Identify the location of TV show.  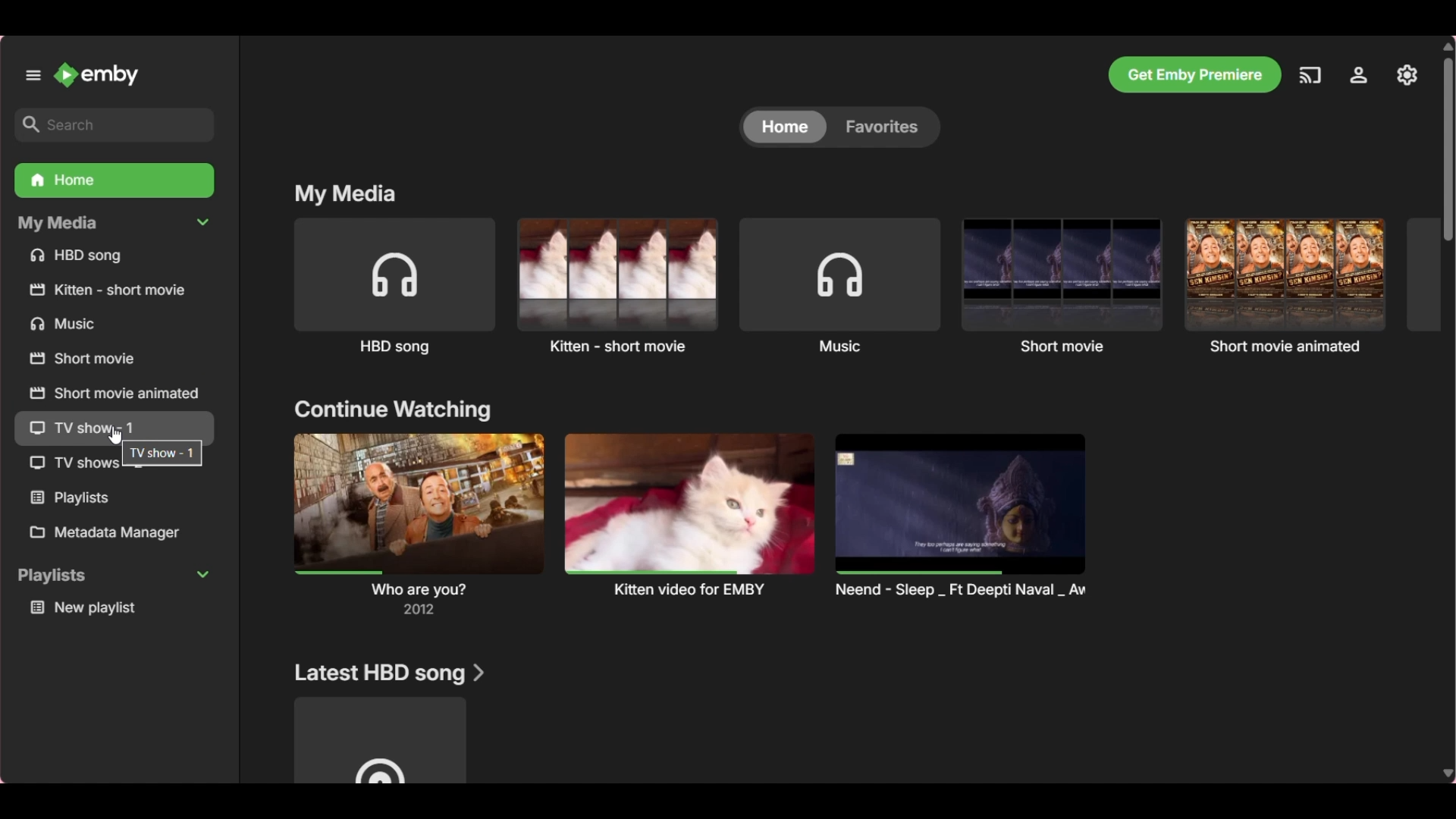
(63, 463).